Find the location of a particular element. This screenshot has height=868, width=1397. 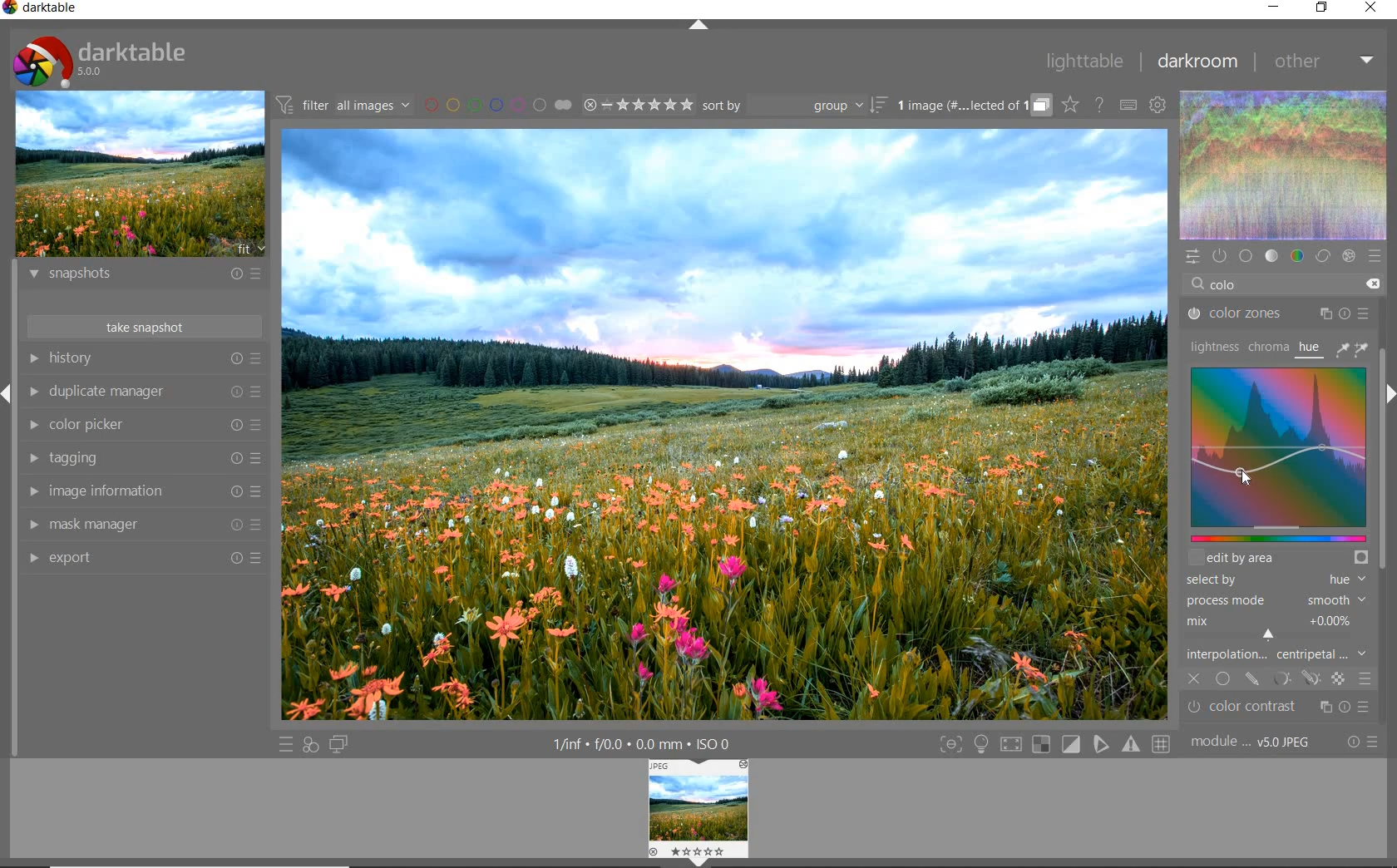

grouped images is located at coordinates (972, 106).